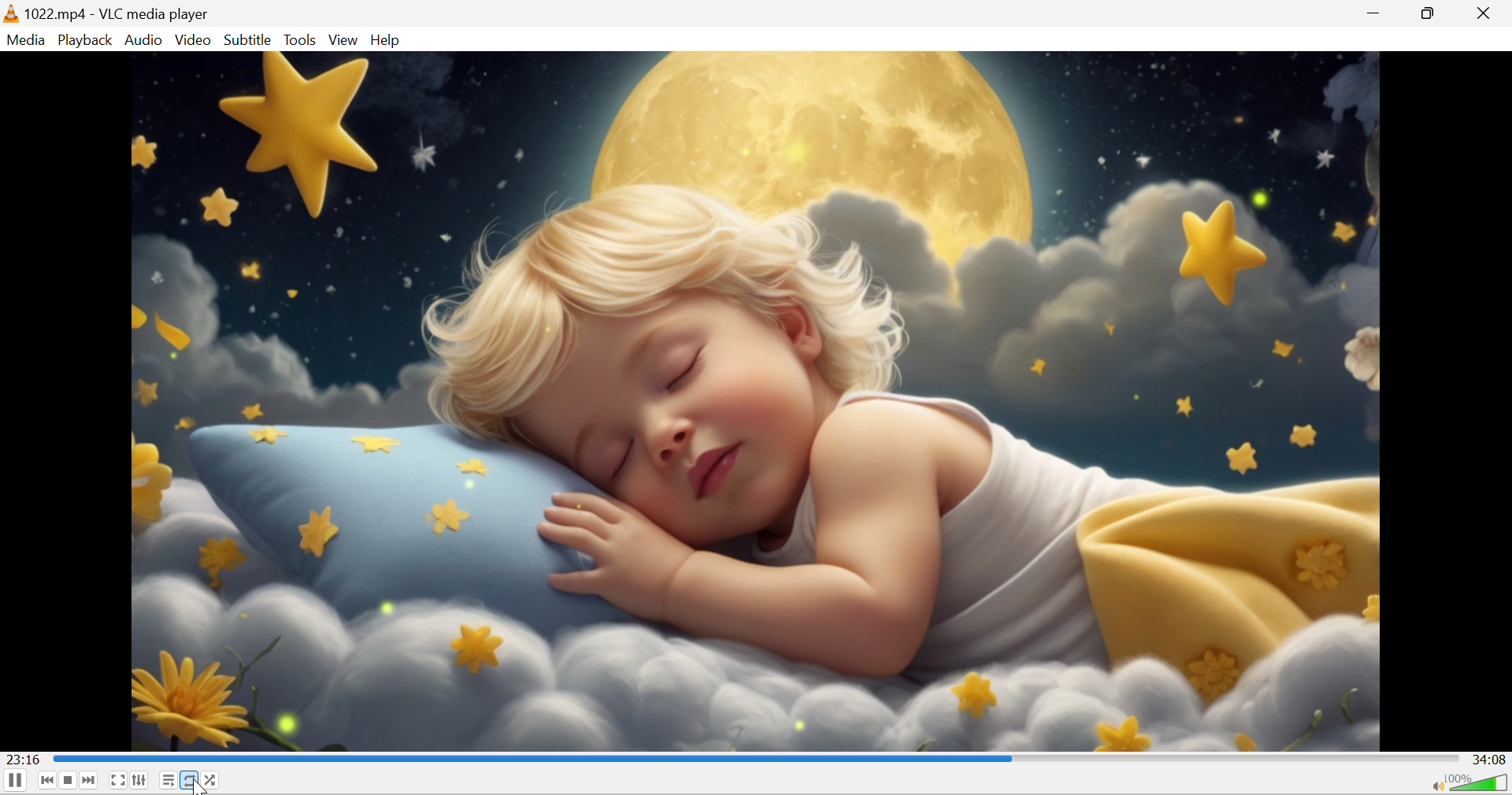 This screenshot has width=1512, height=795. What do you see at coordinates (1434, 786) in the screenshot?
I see `Mute` at bounding box center [1434, 786].